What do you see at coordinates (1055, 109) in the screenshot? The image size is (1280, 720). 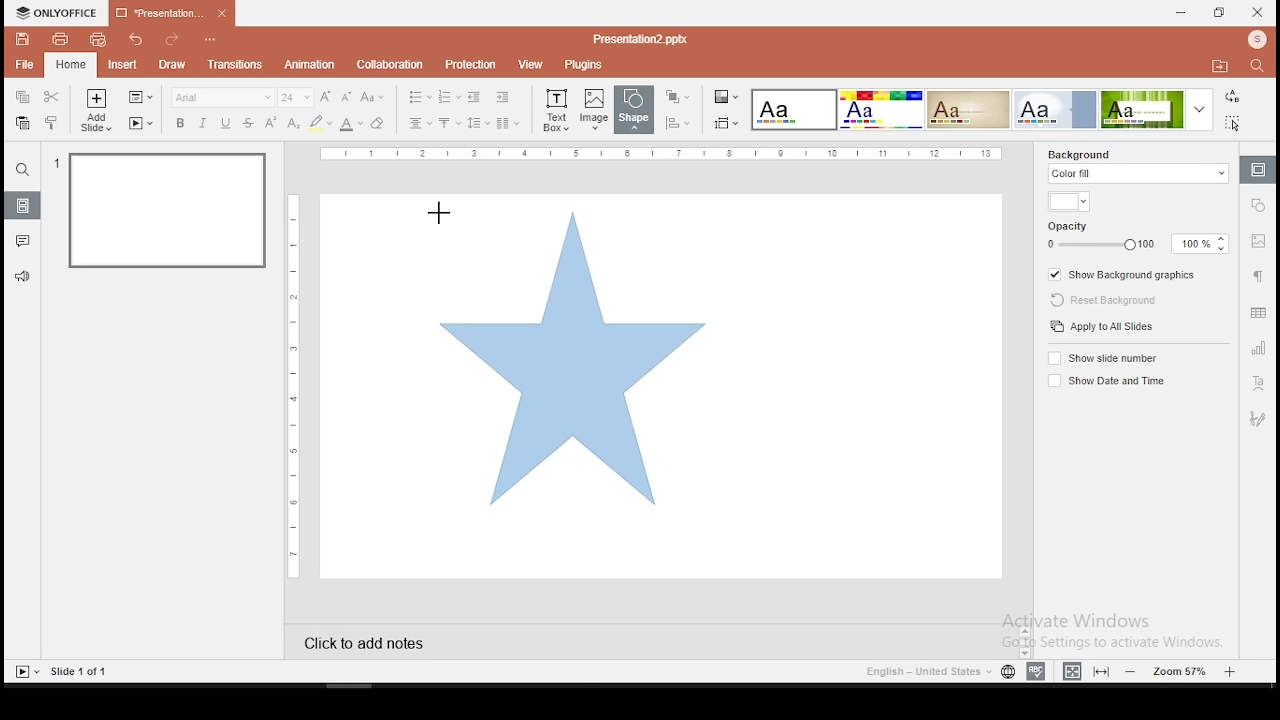 I see `theme` at bounding box center [1055, 109].